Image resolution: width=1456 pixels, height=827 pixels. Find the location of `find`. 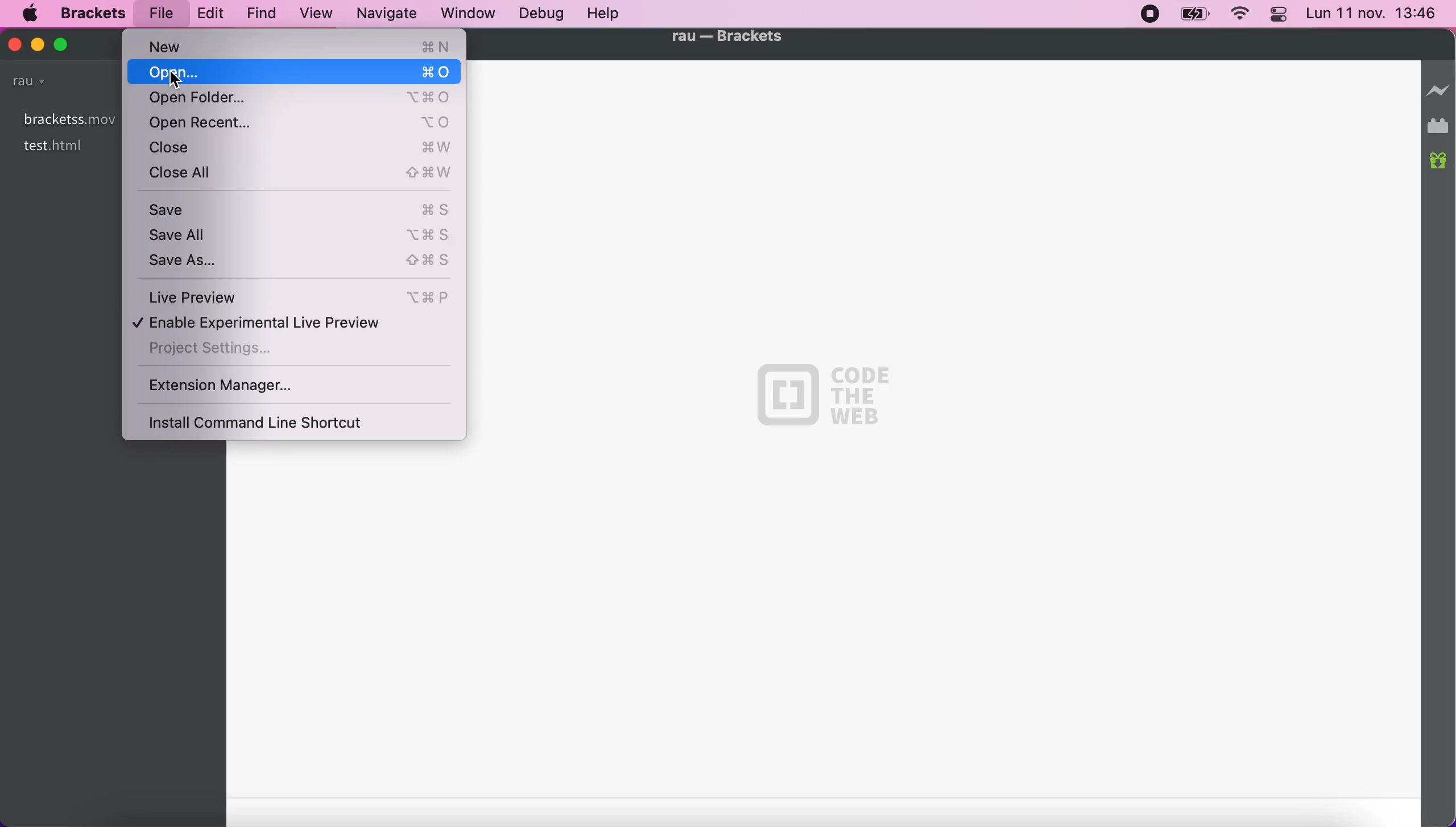

find is located at coordinates (263, 15).